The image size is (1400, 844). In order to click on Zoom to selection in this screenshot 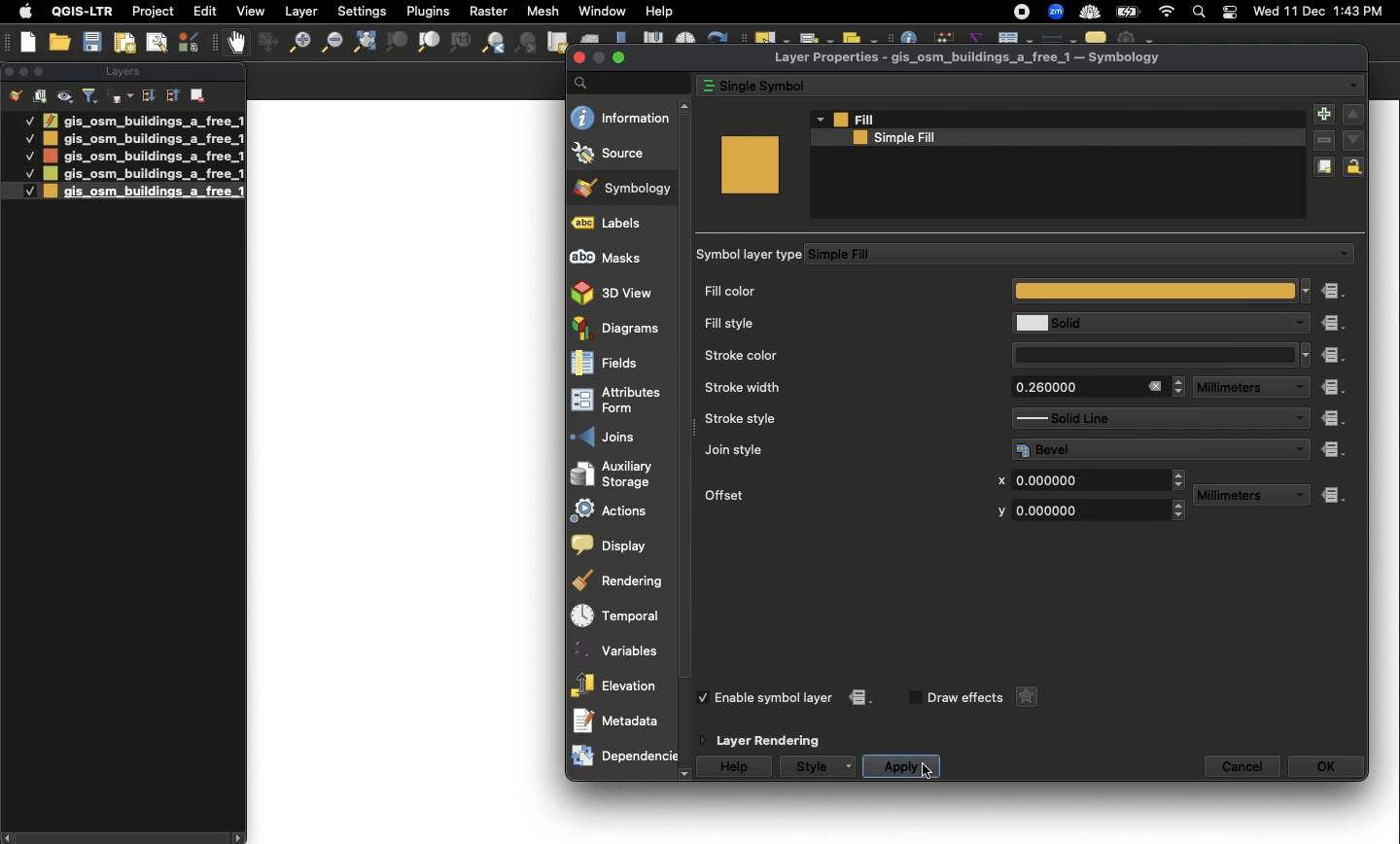, I will do `click(397, 43)`.